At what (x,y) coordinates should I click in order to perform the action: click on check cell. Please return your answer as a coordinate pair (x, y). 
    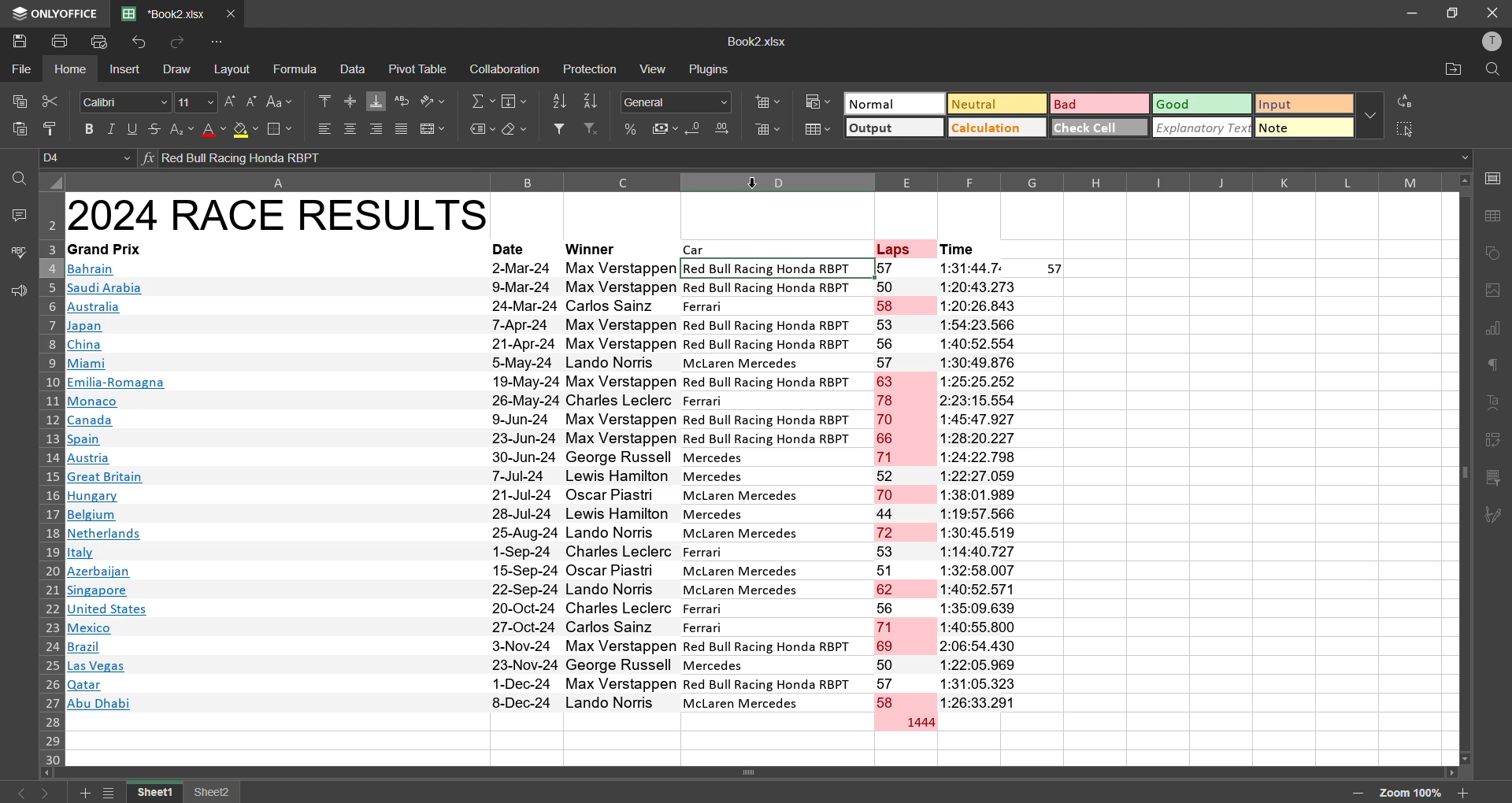
    Looking at the image, I should click on (1096, 126).